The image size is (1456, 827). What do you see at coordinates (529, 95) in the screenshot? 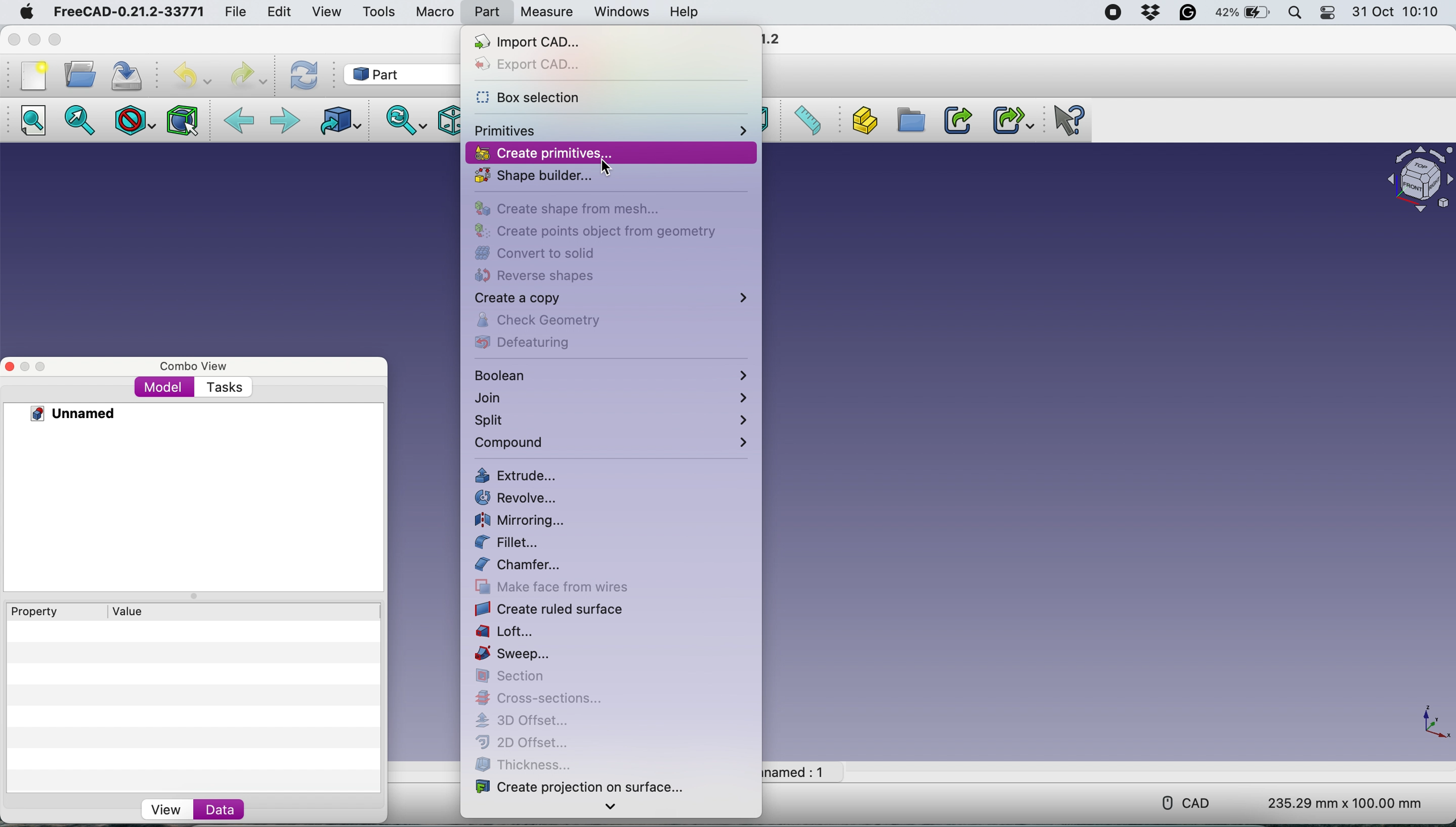
I see `box selection` at bounding box center [529, 95].